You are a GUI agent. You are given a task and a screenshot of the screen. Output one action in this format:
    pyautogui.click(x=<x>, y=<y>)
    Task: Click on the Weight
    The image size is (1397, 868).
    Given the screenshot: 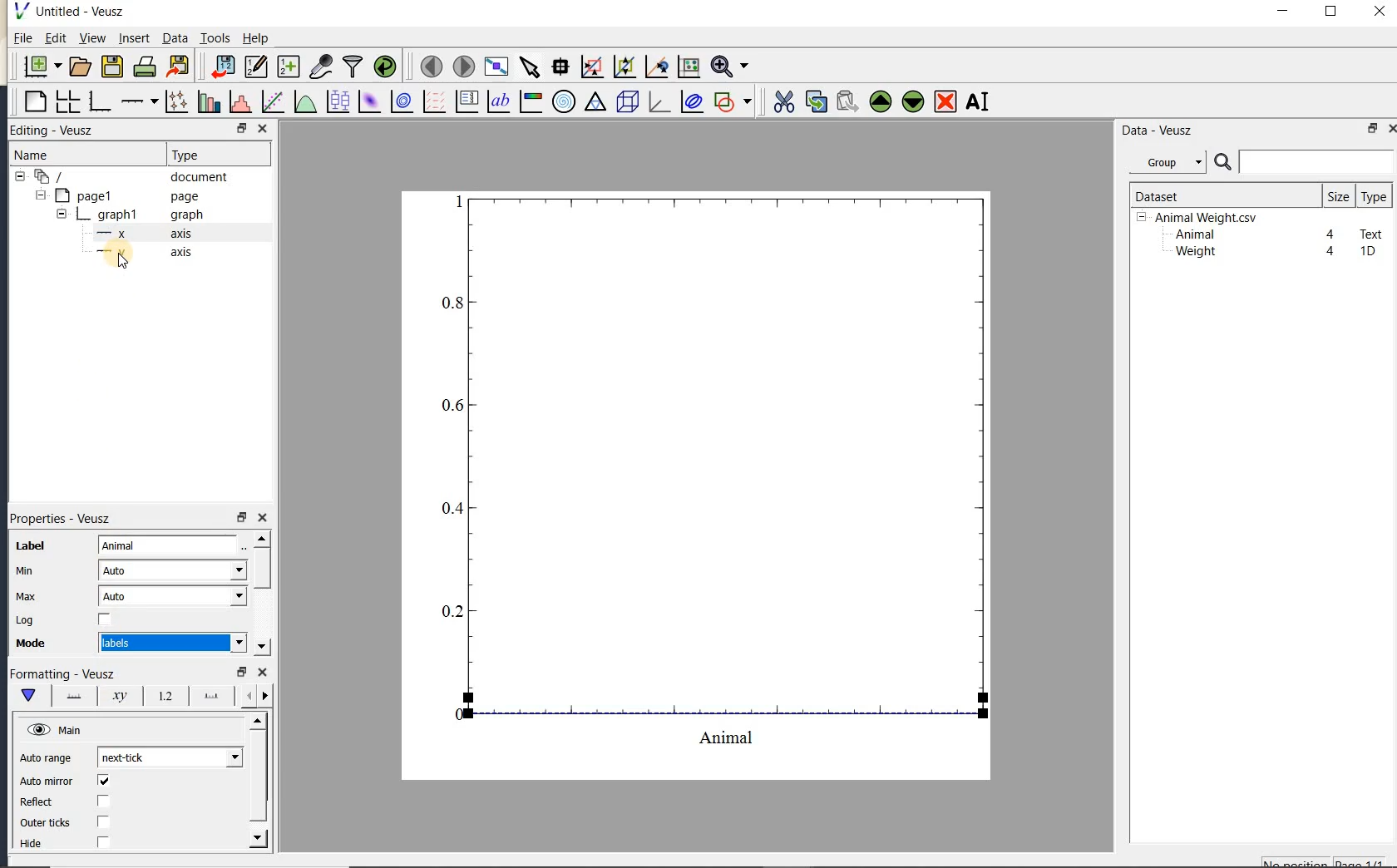 What is the action you would take?
    pyautogui.click(x=1194, y=253)
    